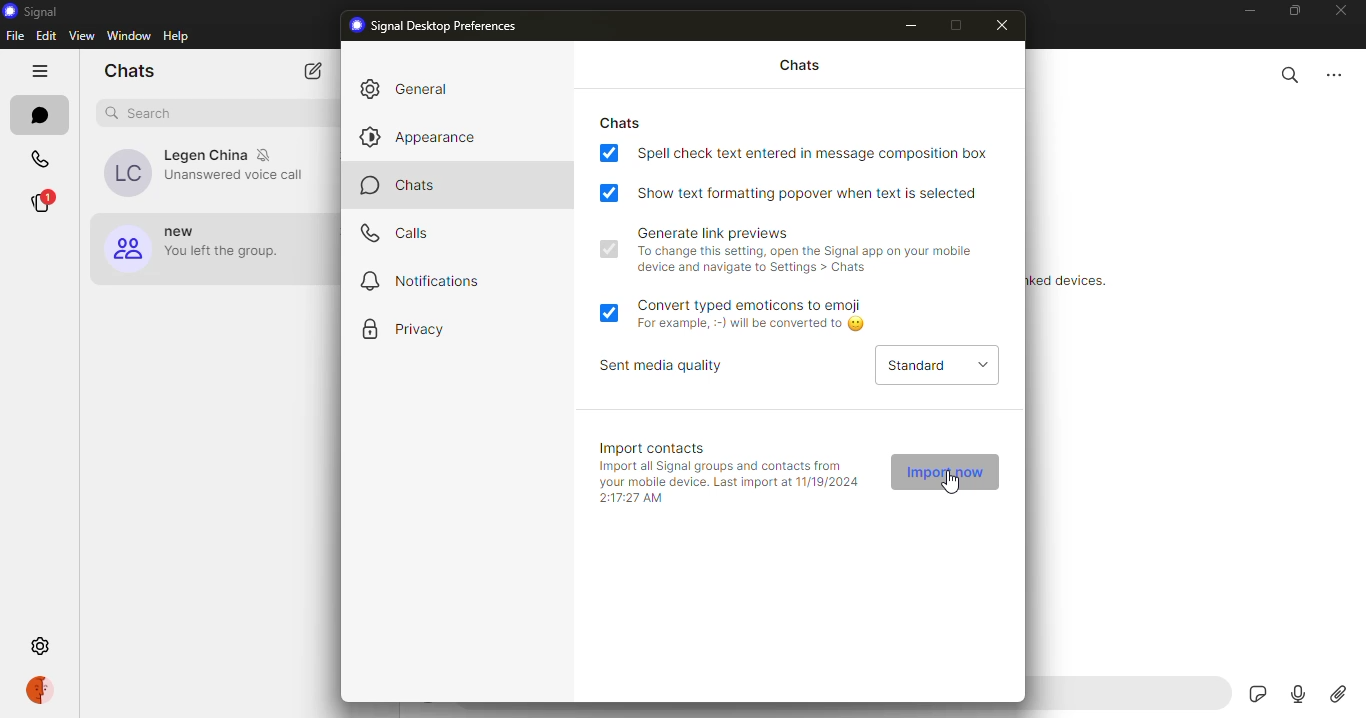  Describe the element at coordinates (84, 35) in the screenshot. I see `view` at that location.